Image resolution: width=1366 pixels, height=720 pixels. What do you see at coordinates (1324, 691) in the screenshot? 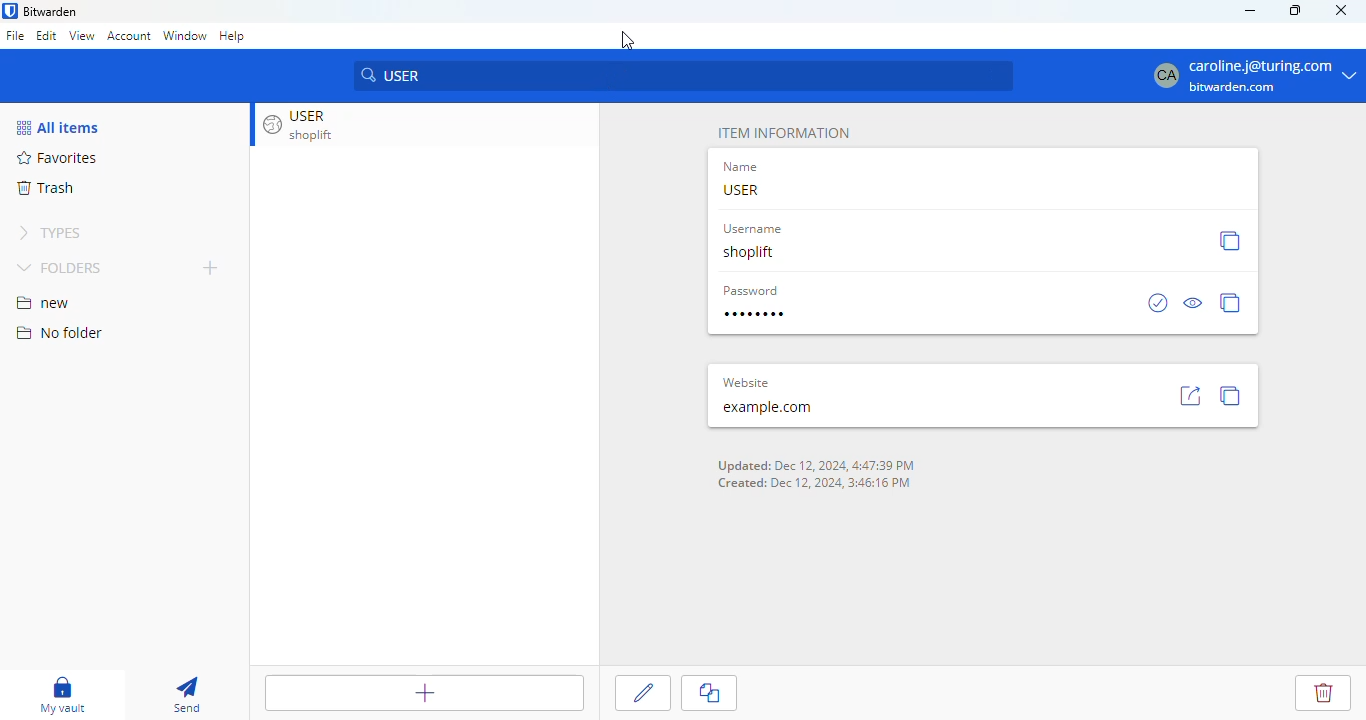
I see `Delete` at bounding box center [1324, 691].